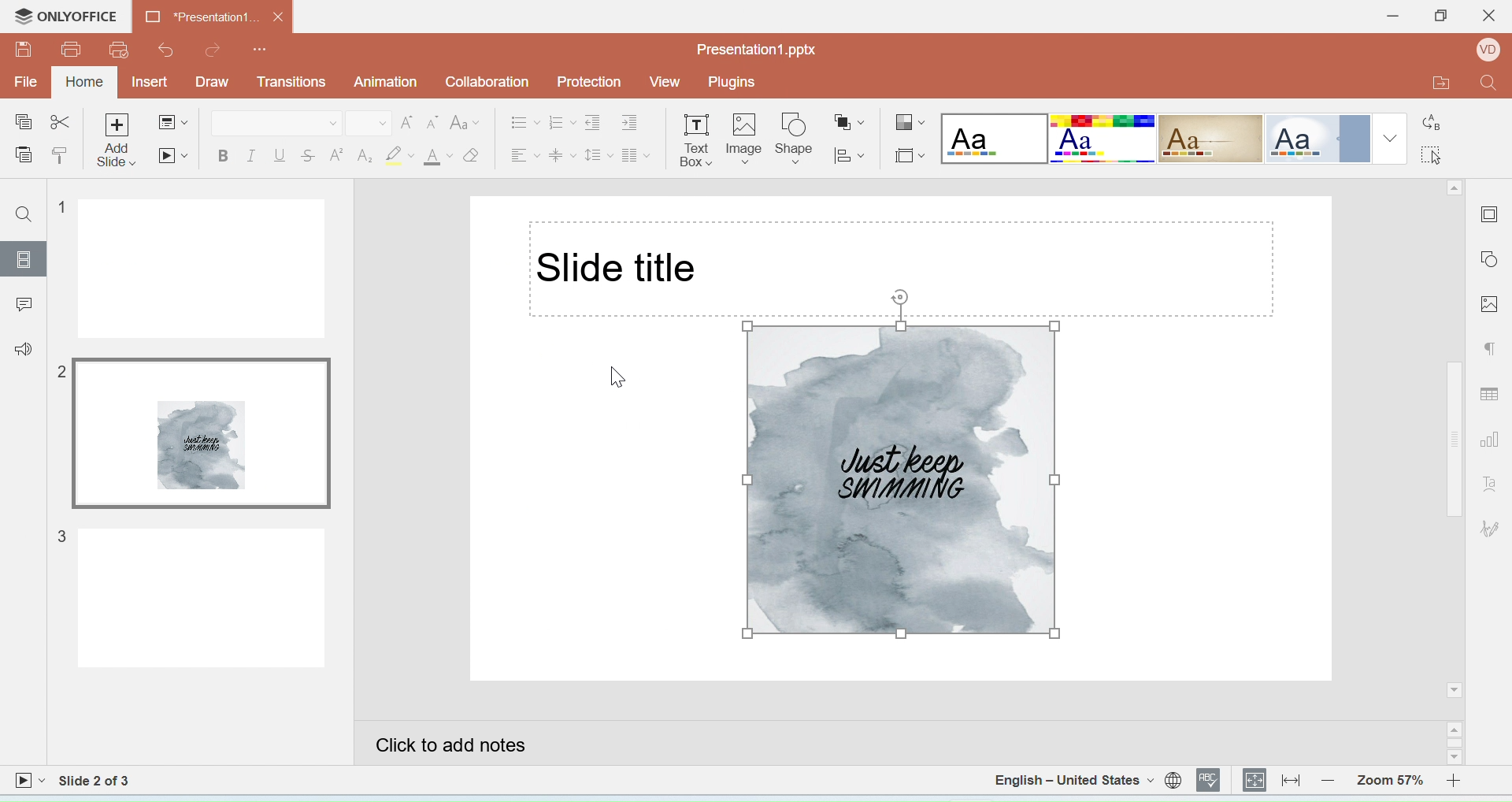 Image resolution: width=1512 pixels, height=802 pixels. Describe the element at coordinates (192, 269) in the screenshot. I see `Slide 1` at that location.